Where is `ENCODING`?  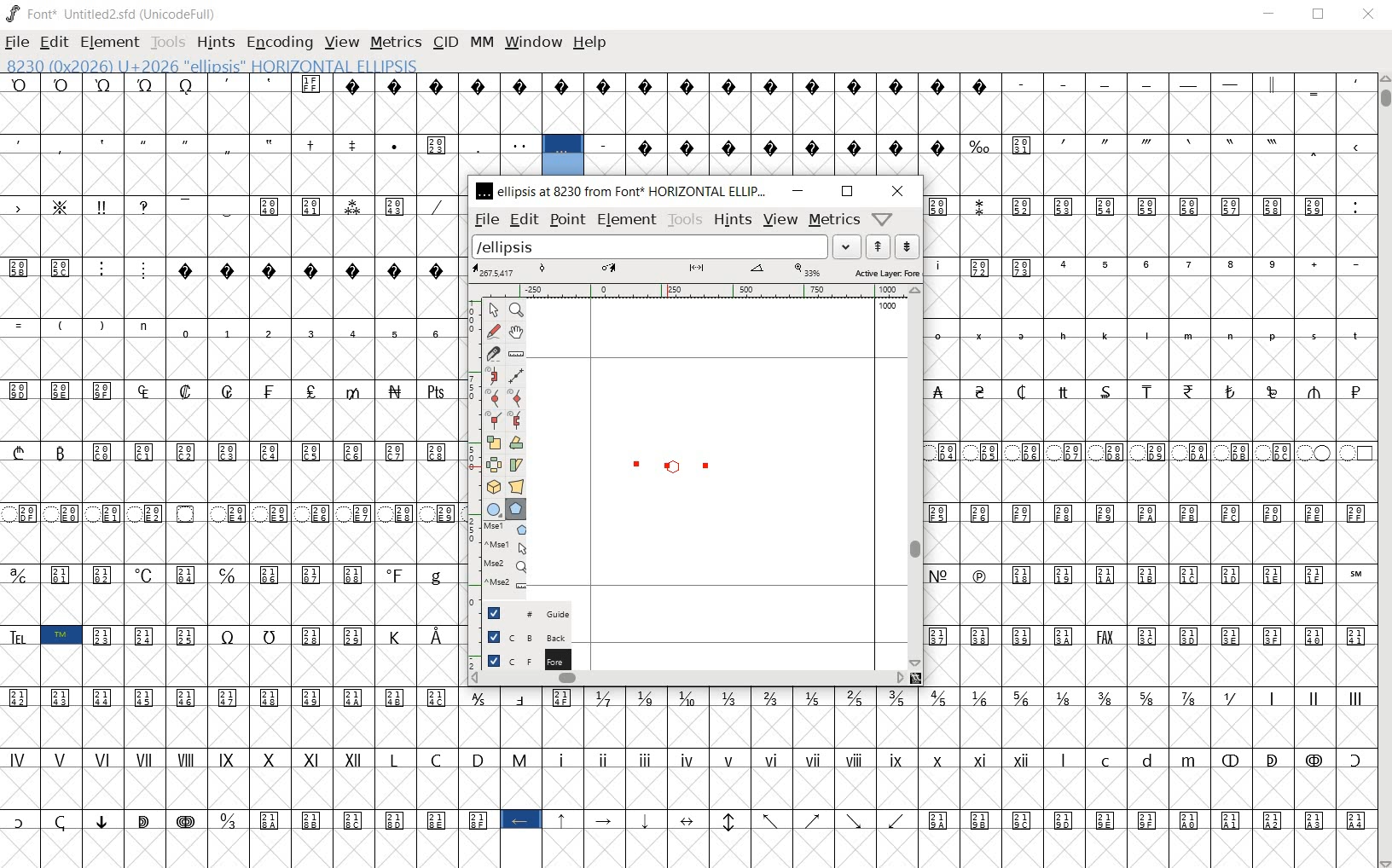
ENCODING is located at coordinates (278, 43).